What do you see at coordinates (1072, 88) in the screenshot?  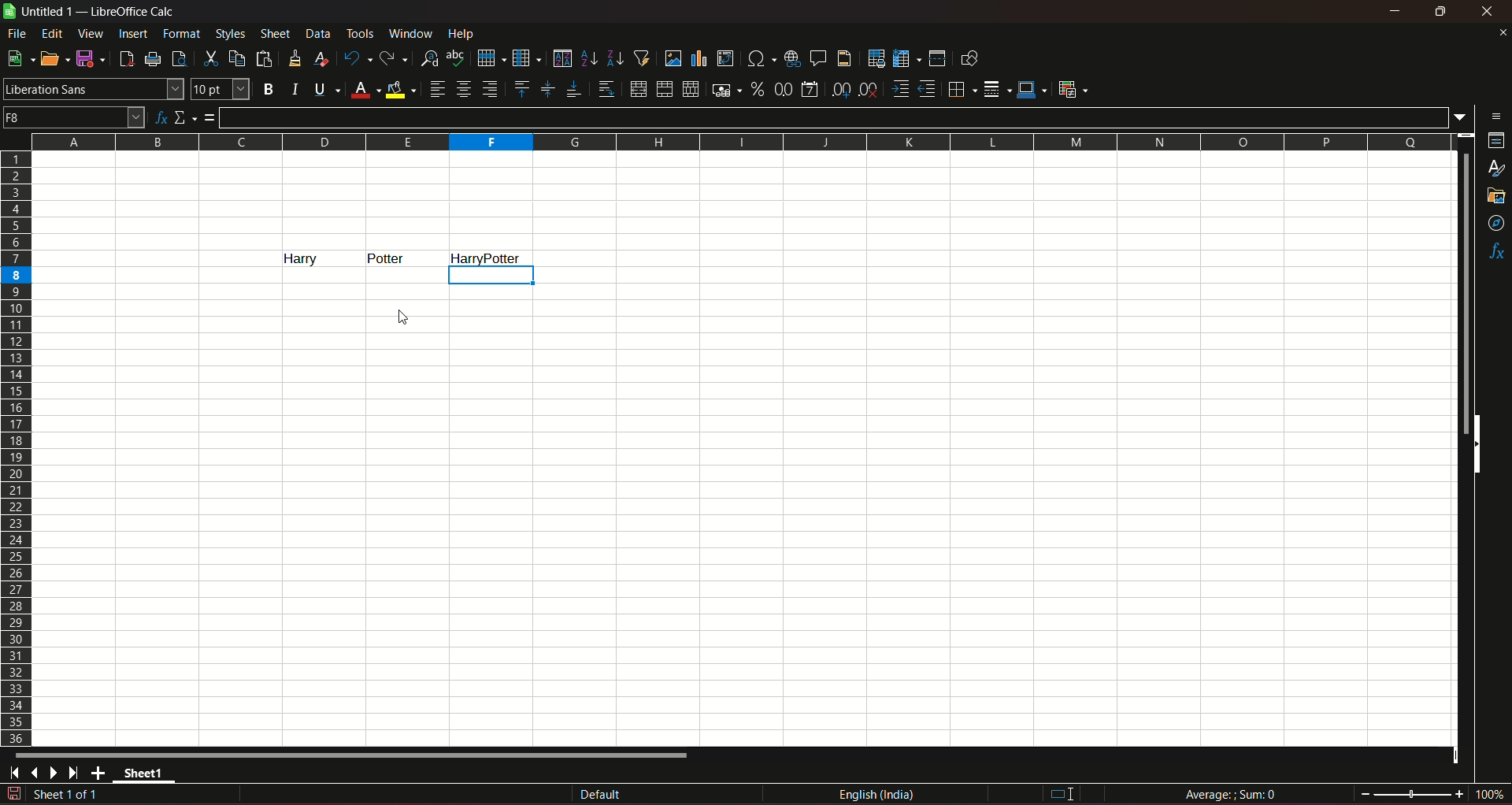 I see `conditional` at bounding box center [1072, 88].